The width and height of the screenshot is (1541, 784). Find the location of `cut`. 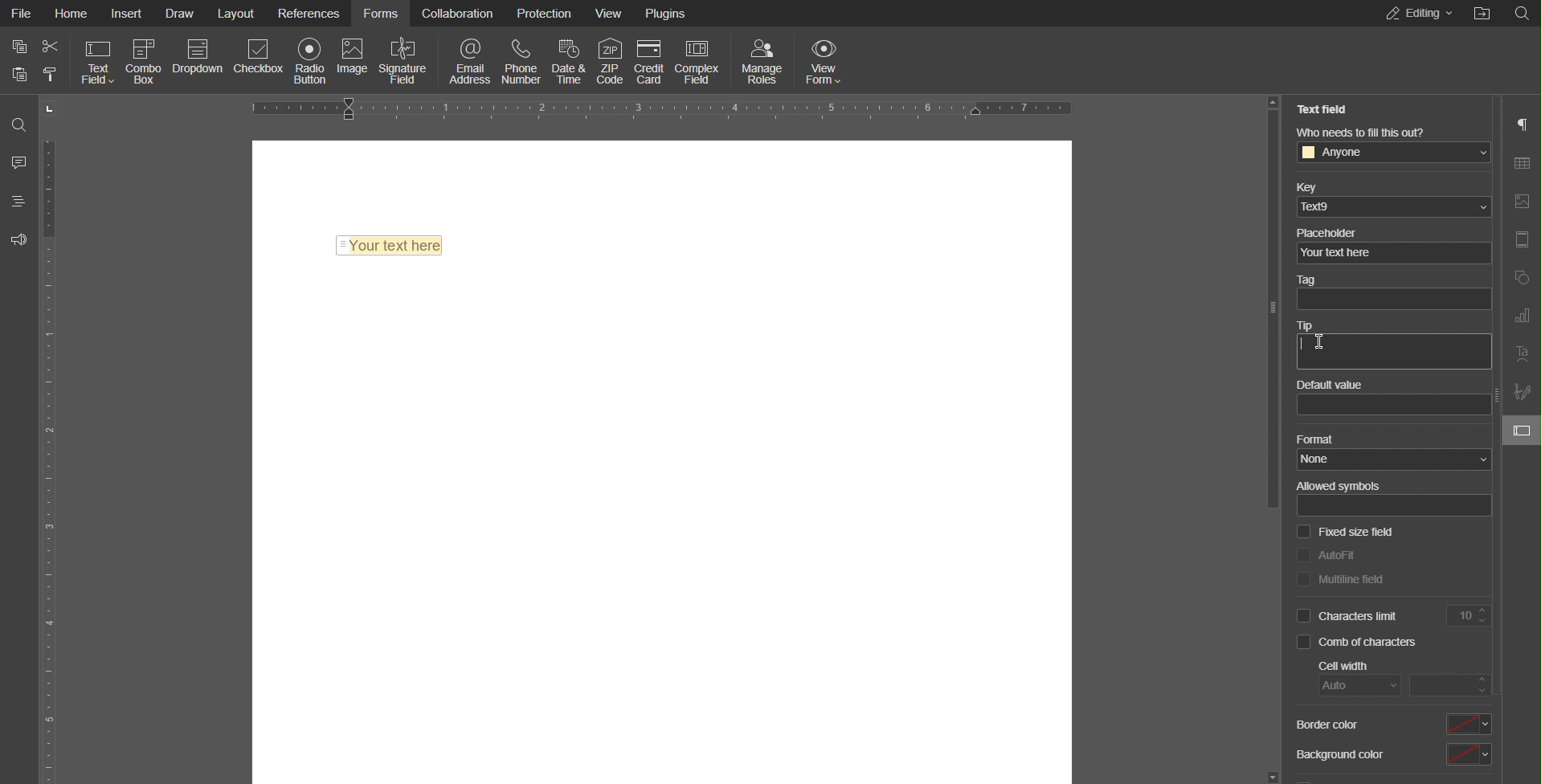

cut is located at coordinates (51, 47).